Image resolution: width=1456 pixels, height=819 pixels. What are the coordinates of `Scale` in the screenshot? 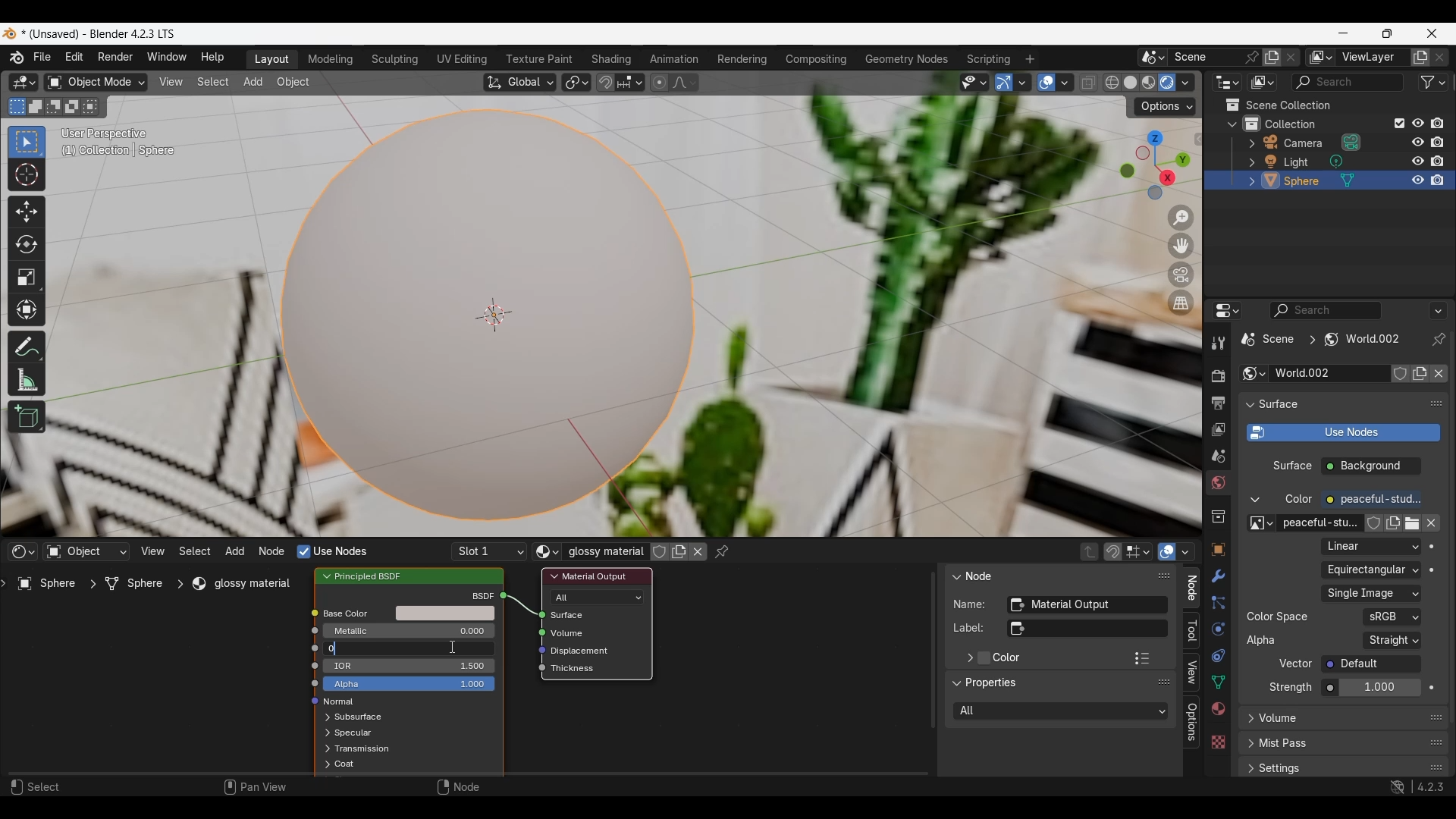 It's located at (27, 278).